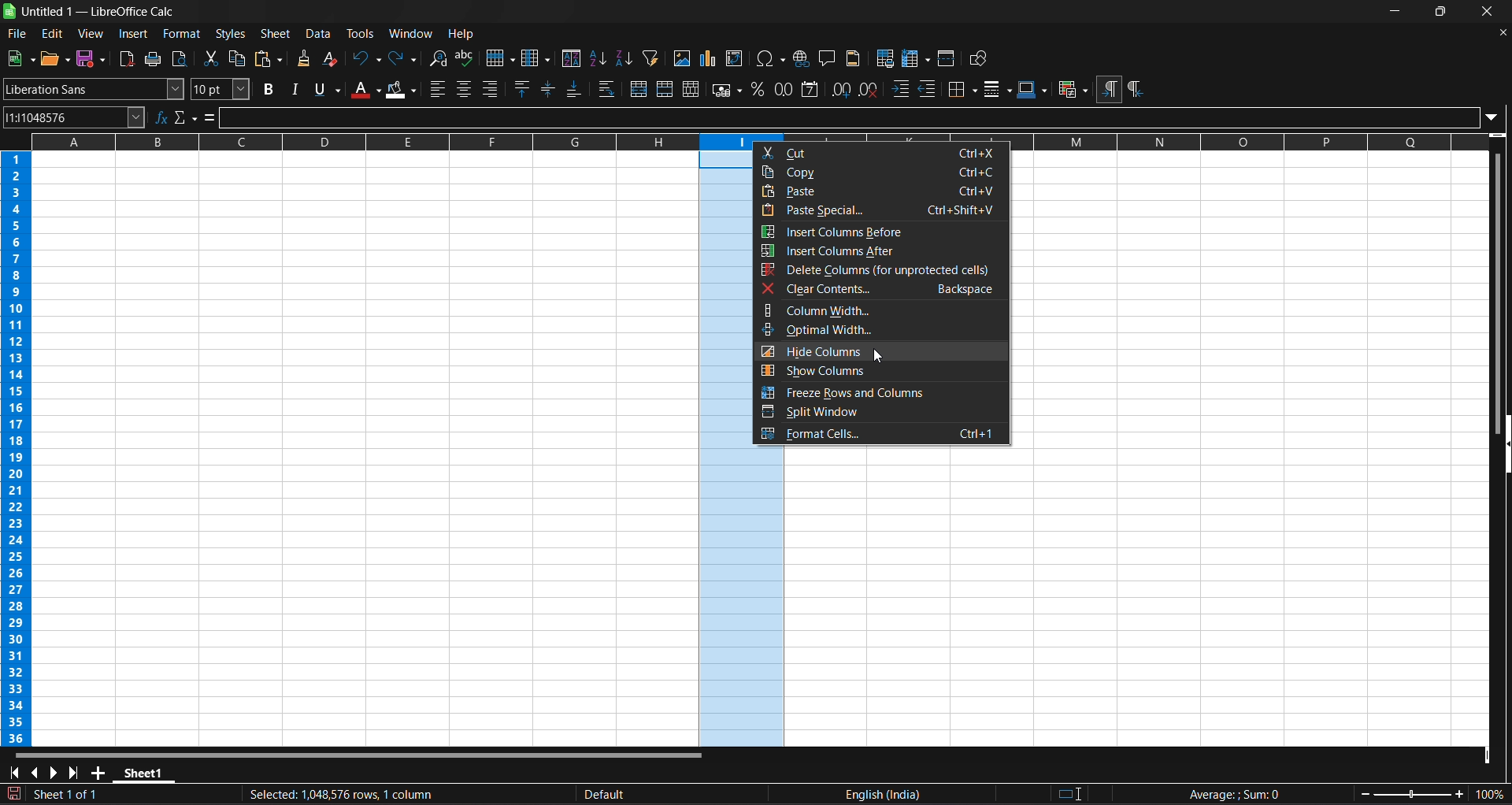  I want to click on sort descending, so click(625, 57).